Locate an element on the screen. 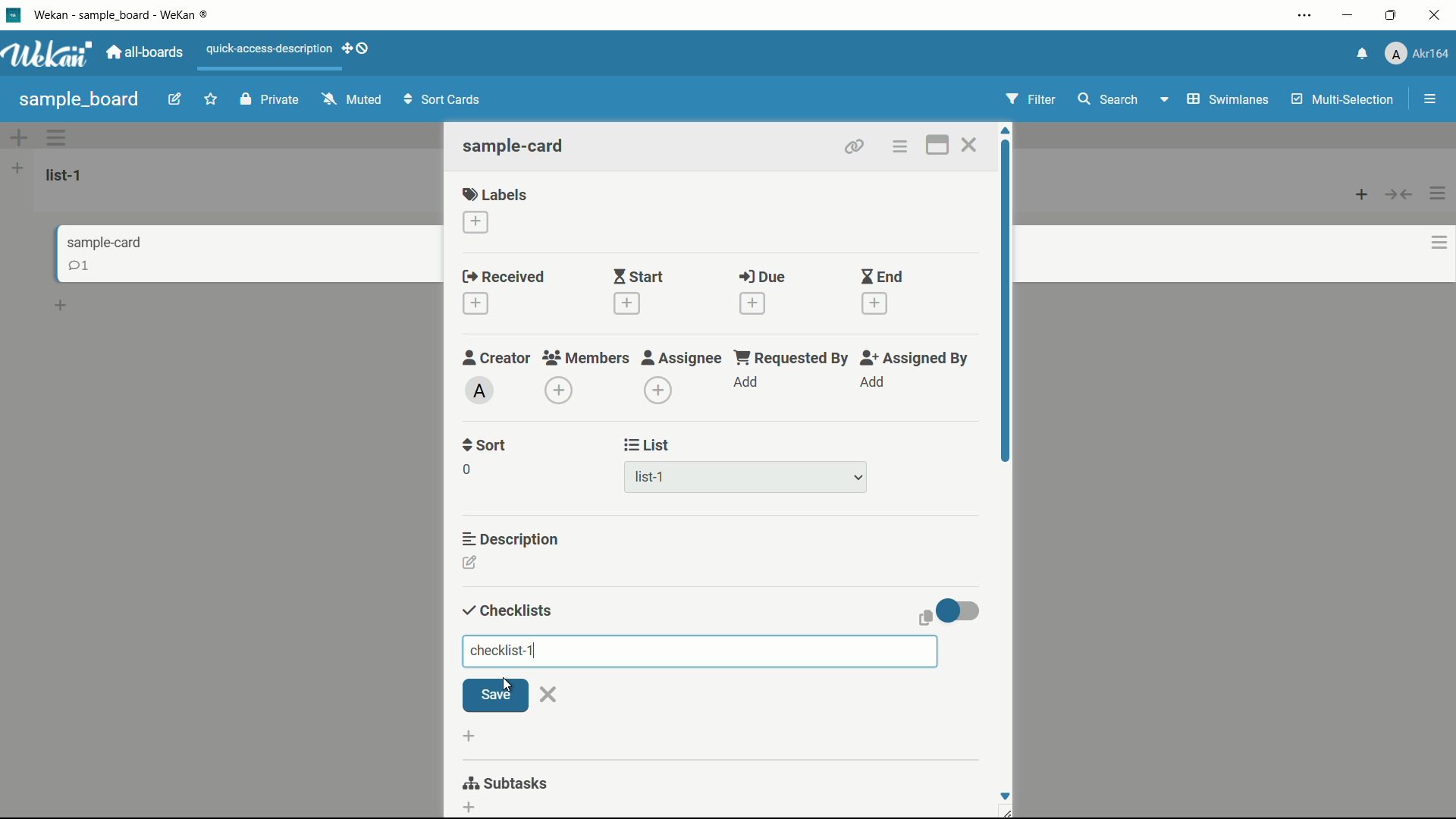 This screenshot has height=819, width=1456. quick-access-description is located at coordinates (267, 49).